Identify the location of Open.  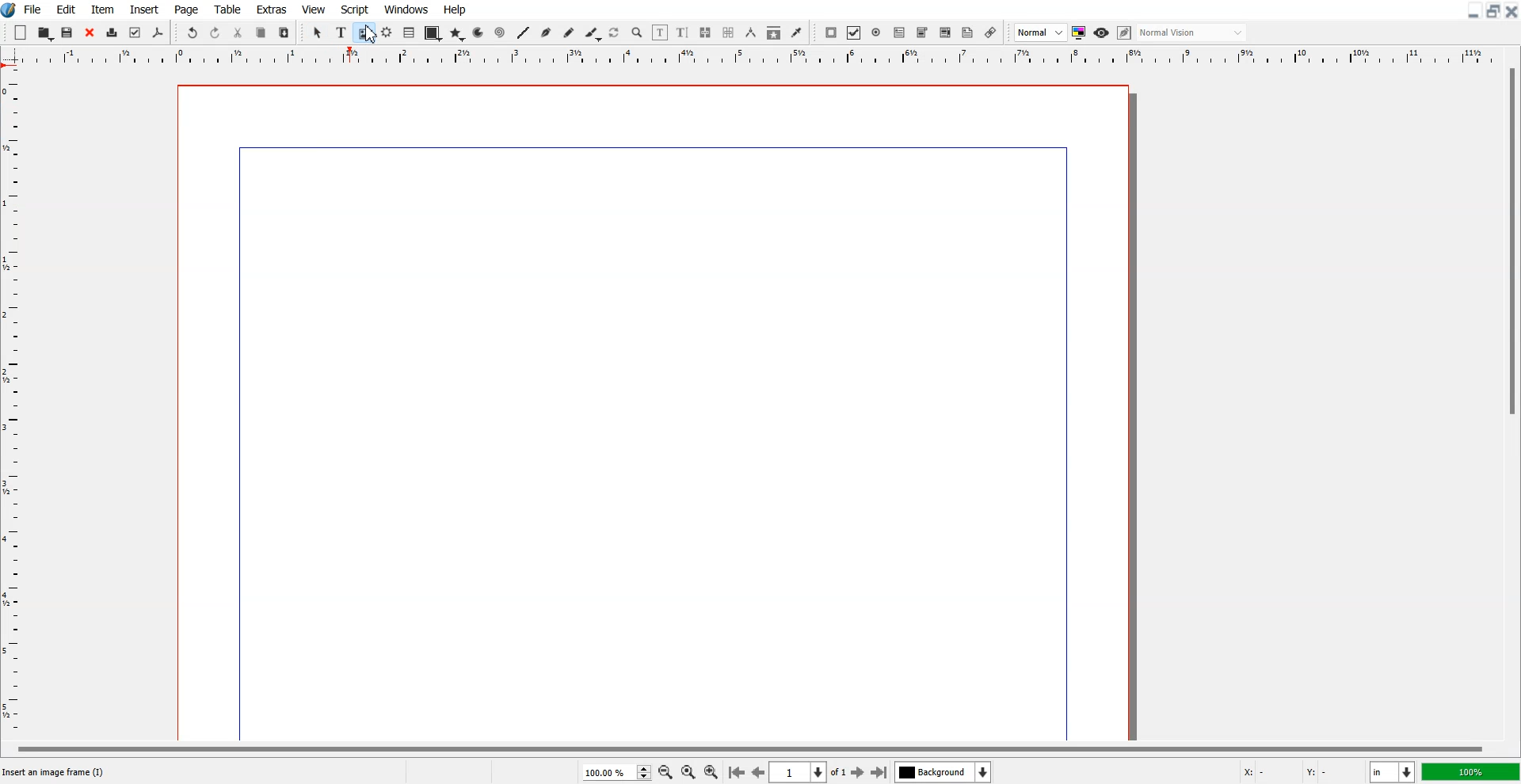
(45, 32).